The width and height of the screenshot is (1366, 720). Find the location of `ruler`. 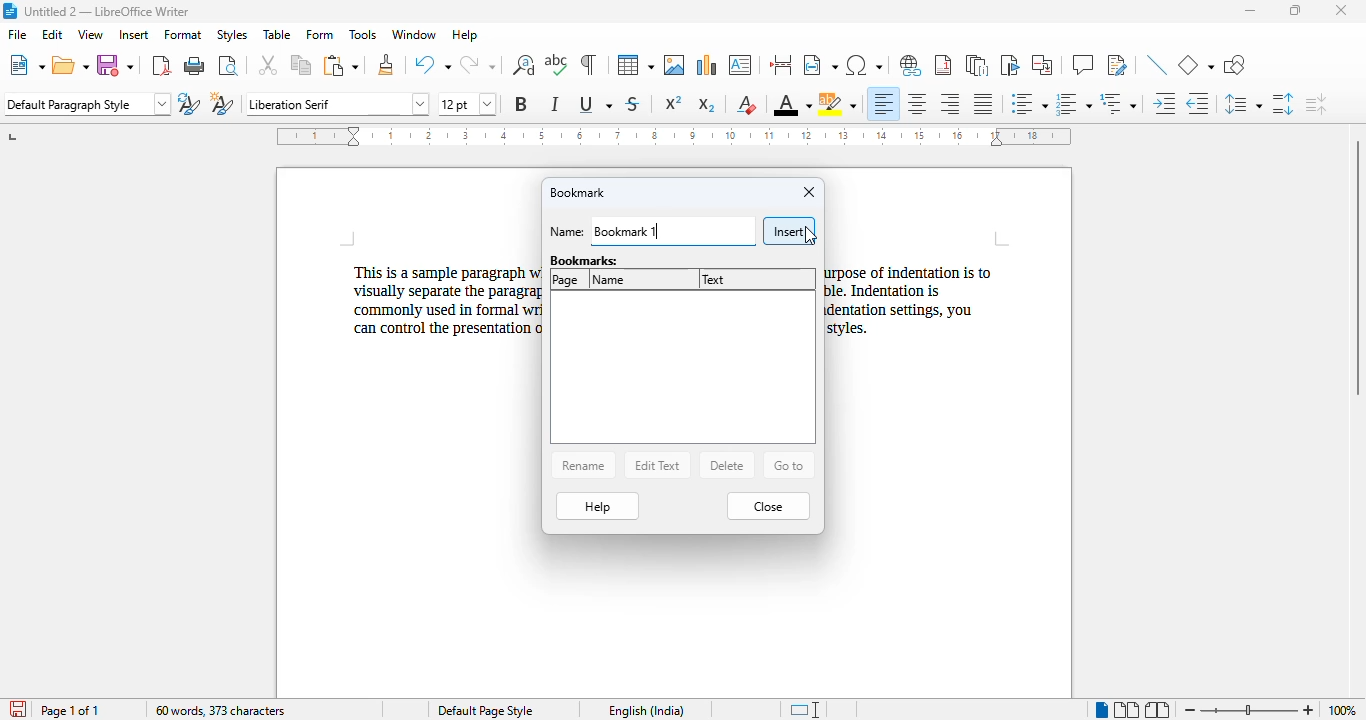

ruler is located at coordinates (674, 136).